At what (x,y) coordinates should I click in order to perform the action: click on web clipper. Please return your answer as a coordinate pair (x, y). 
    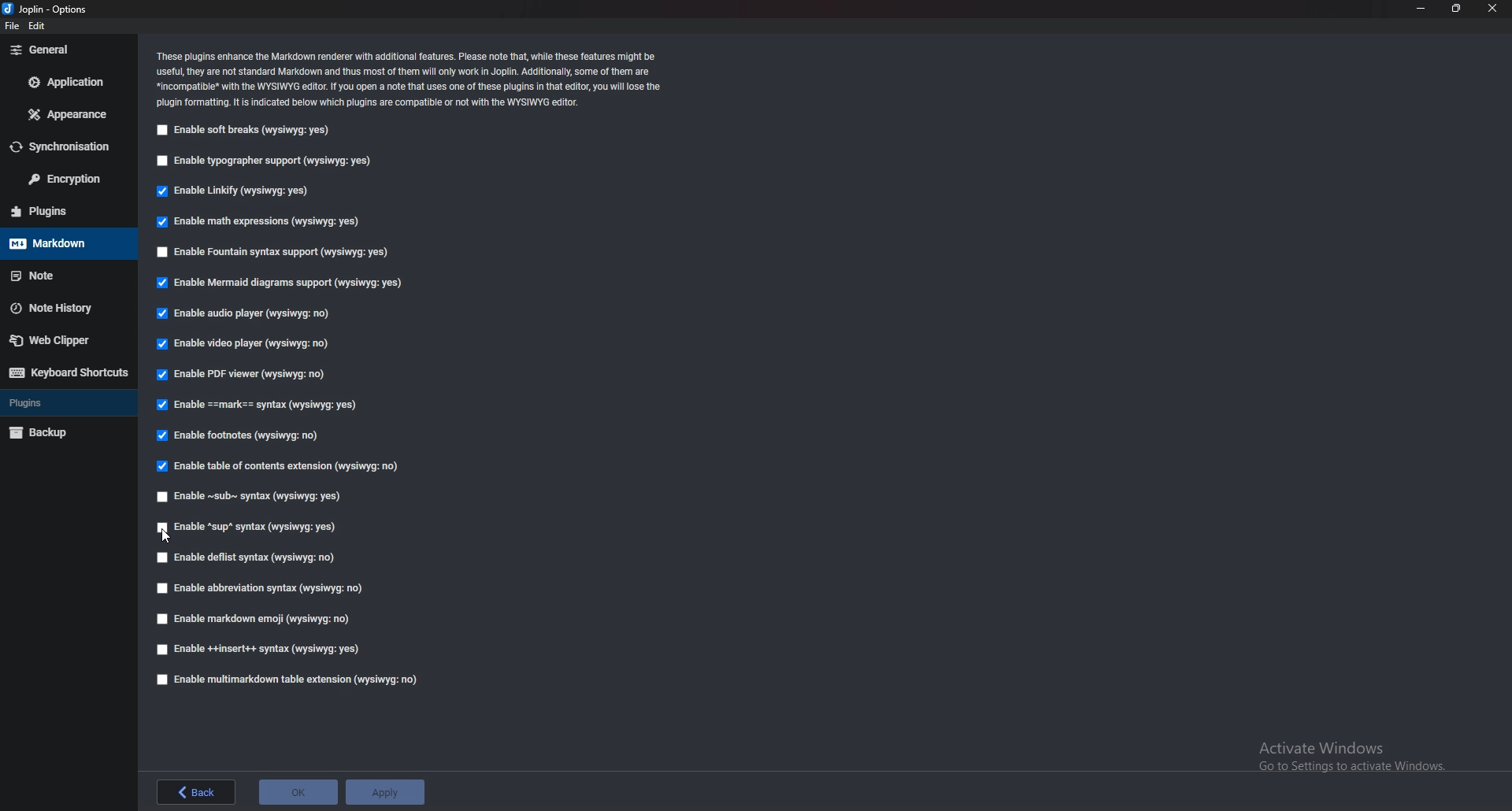
    Looking at the image, I should click on (66, 341).